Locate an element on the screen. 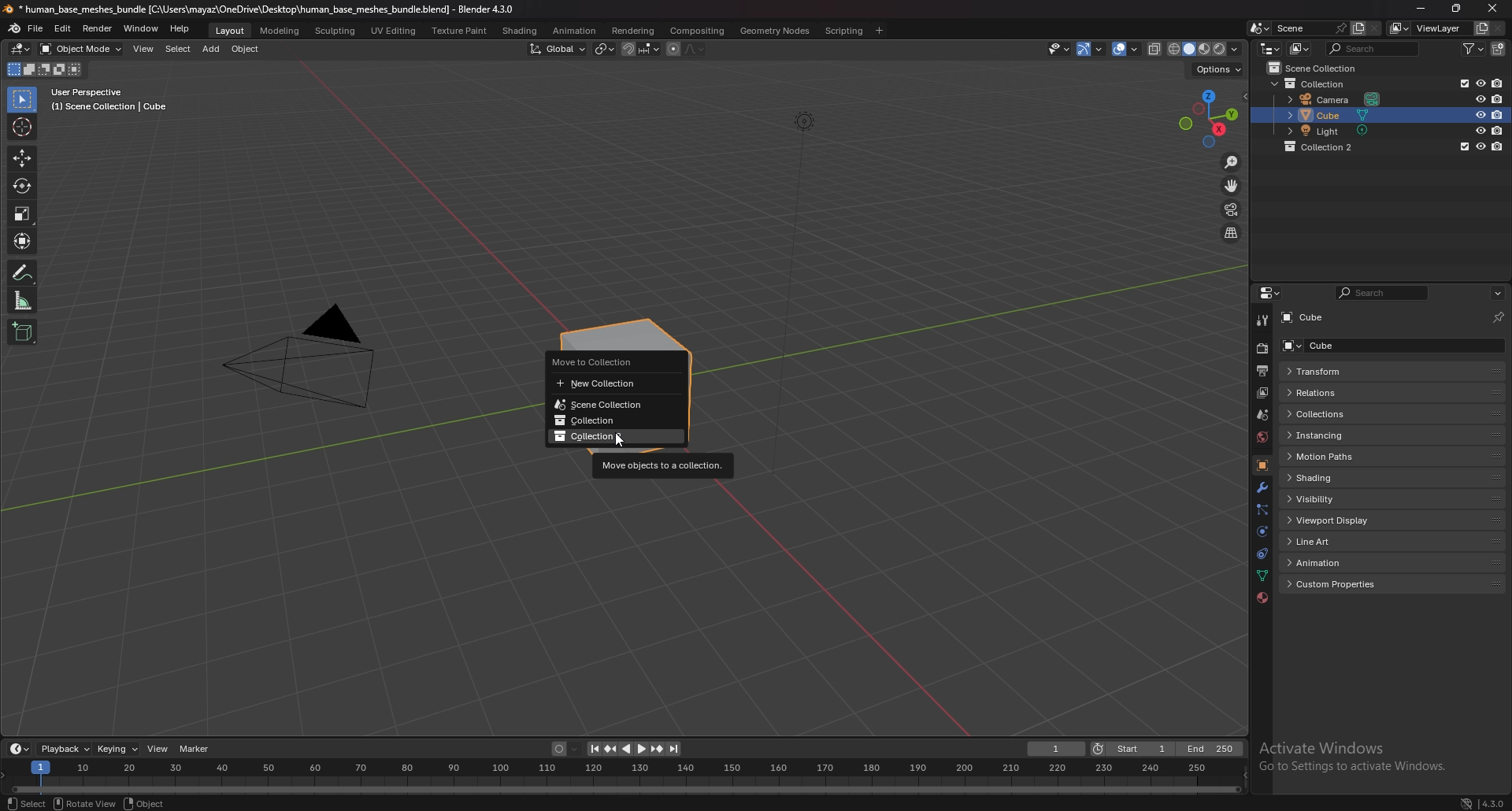 This screenshot has height=811, width=1512. uv editing is located at coordinates (393, 30).